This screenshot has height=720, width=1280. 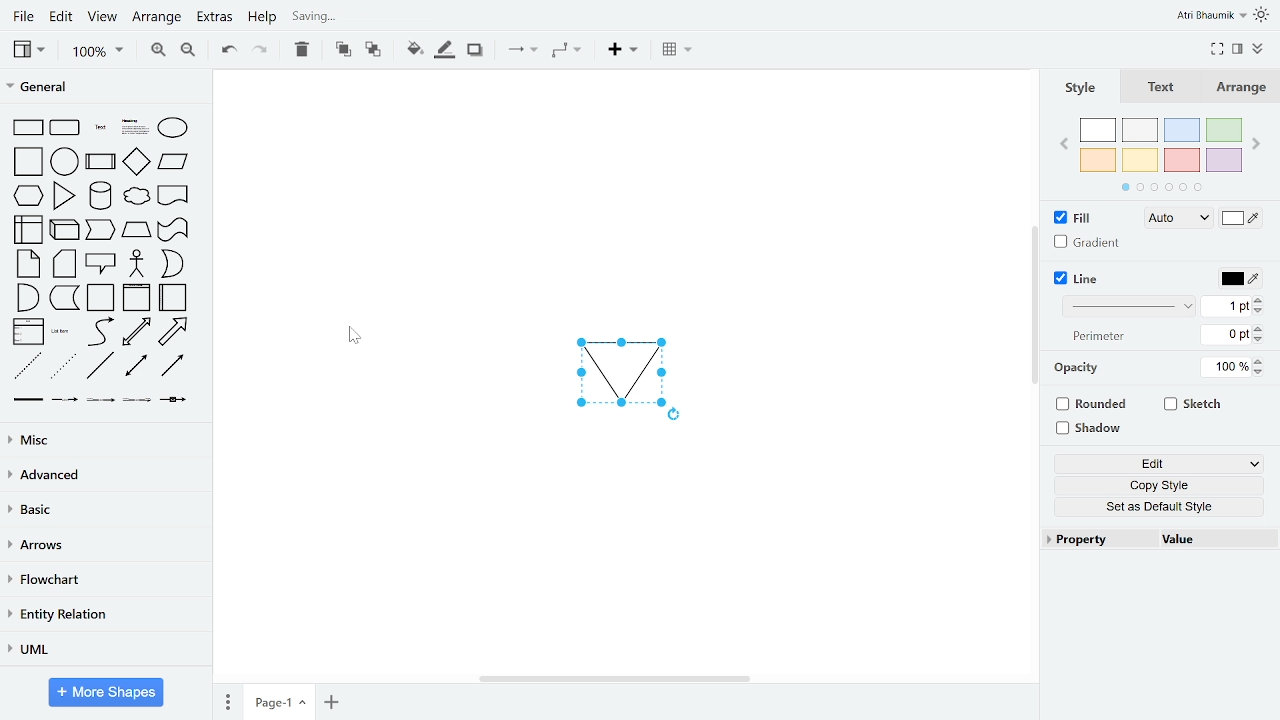 What do you see at coordinates (1140, 130) in the screenshot?
I see `ash` at bounding box center [1140, 130].